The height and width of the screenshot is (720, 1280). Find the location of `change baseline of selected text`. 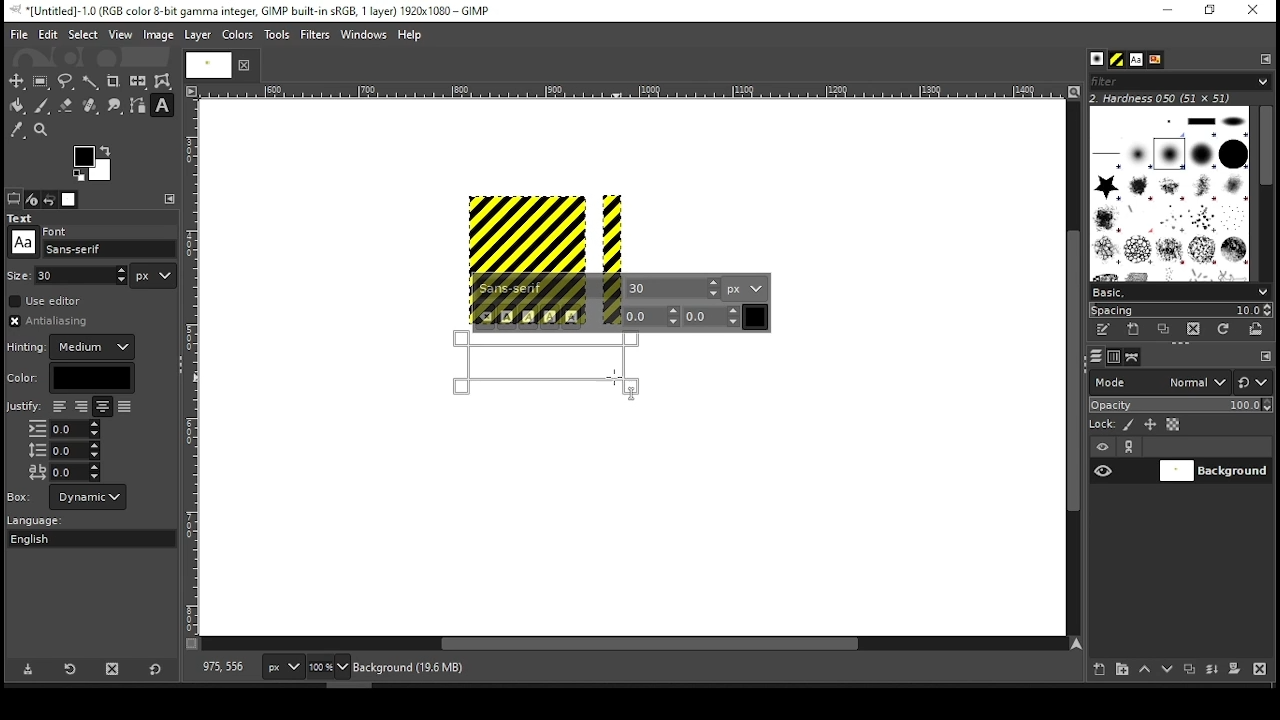

change baseline of selected text is located at coordinates (652, 316).